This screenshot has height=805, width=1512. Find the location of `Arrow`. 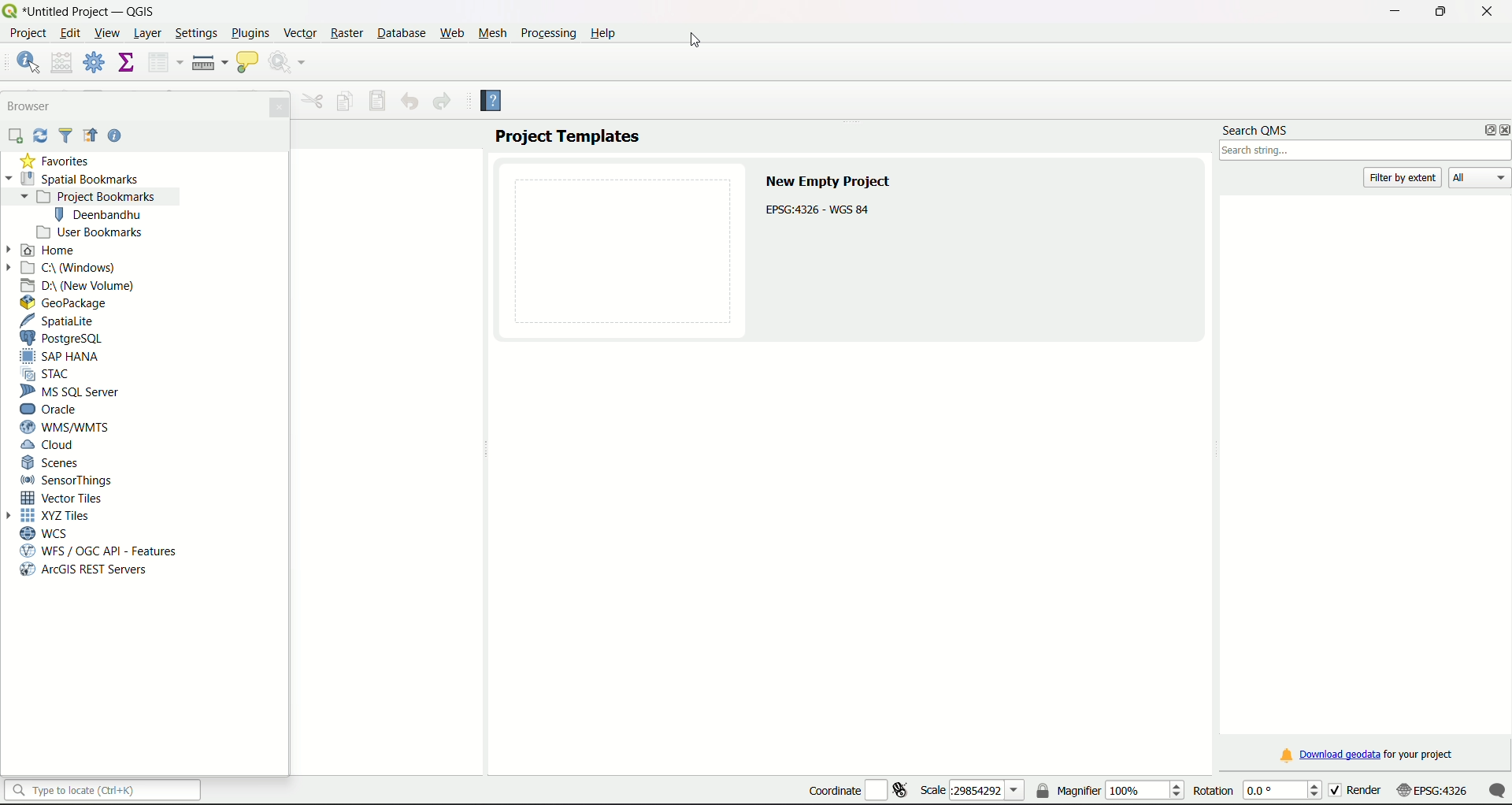

Arrow is located at coordinates (19, 197).